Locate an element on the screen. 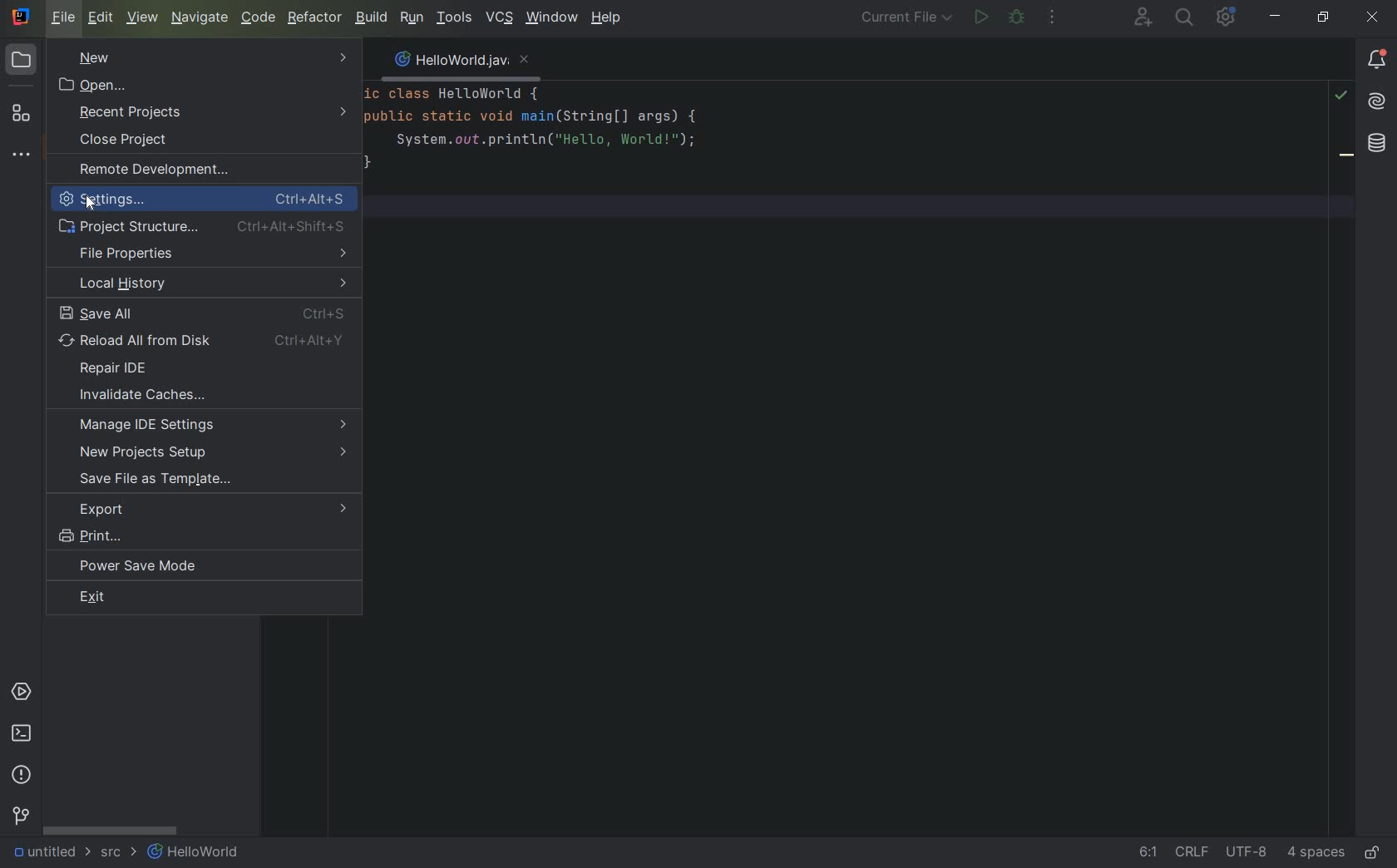 This screenshot has height=868, width=1397. close project is located at coordinates (210, 140).